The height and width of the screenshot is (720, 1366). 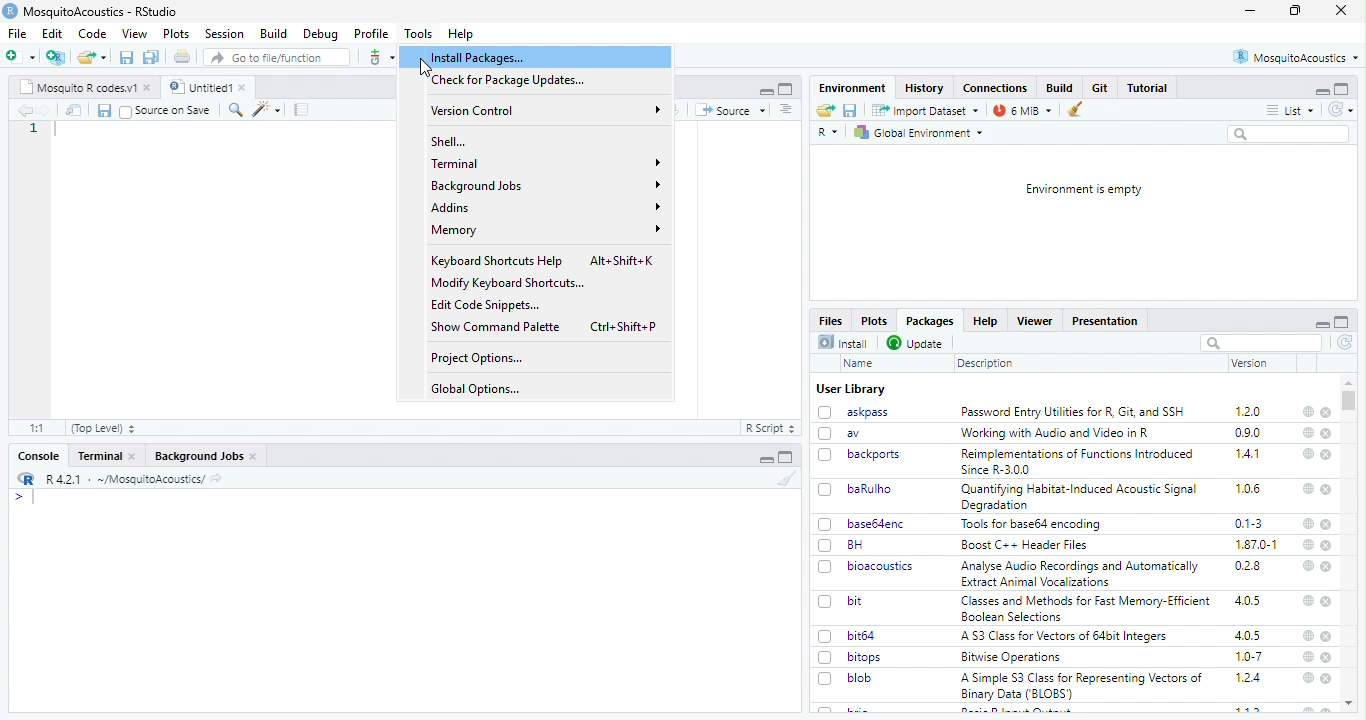 I want to click on maximise, so click(x=1342, y=322).